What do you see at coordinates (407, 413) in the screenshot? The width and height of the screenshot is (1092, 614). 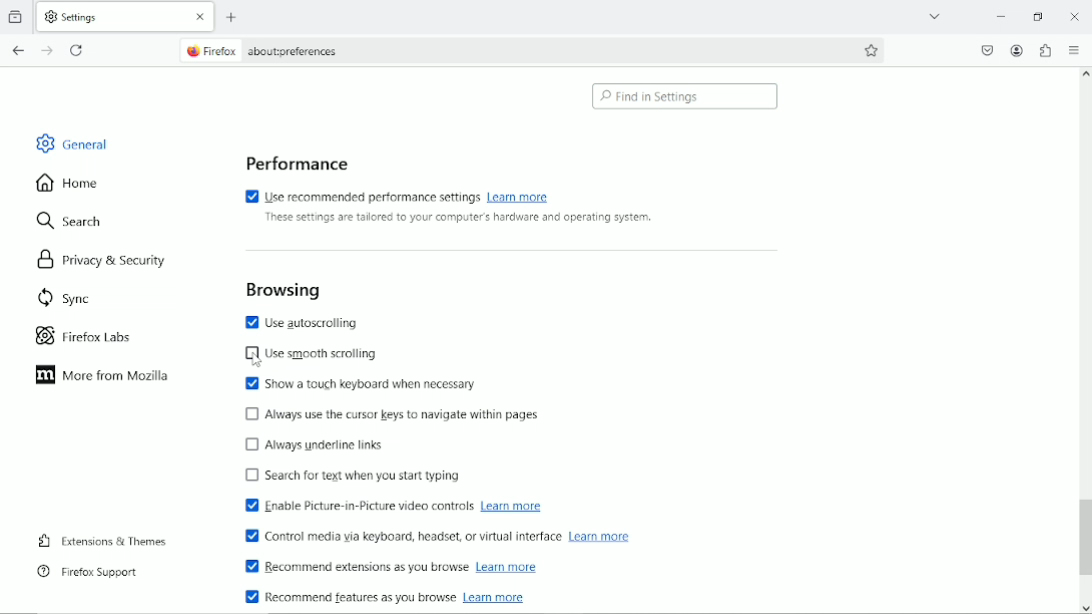 I see `Always use the cursor keys to navigate within pages` at bounding box center [407, 413].